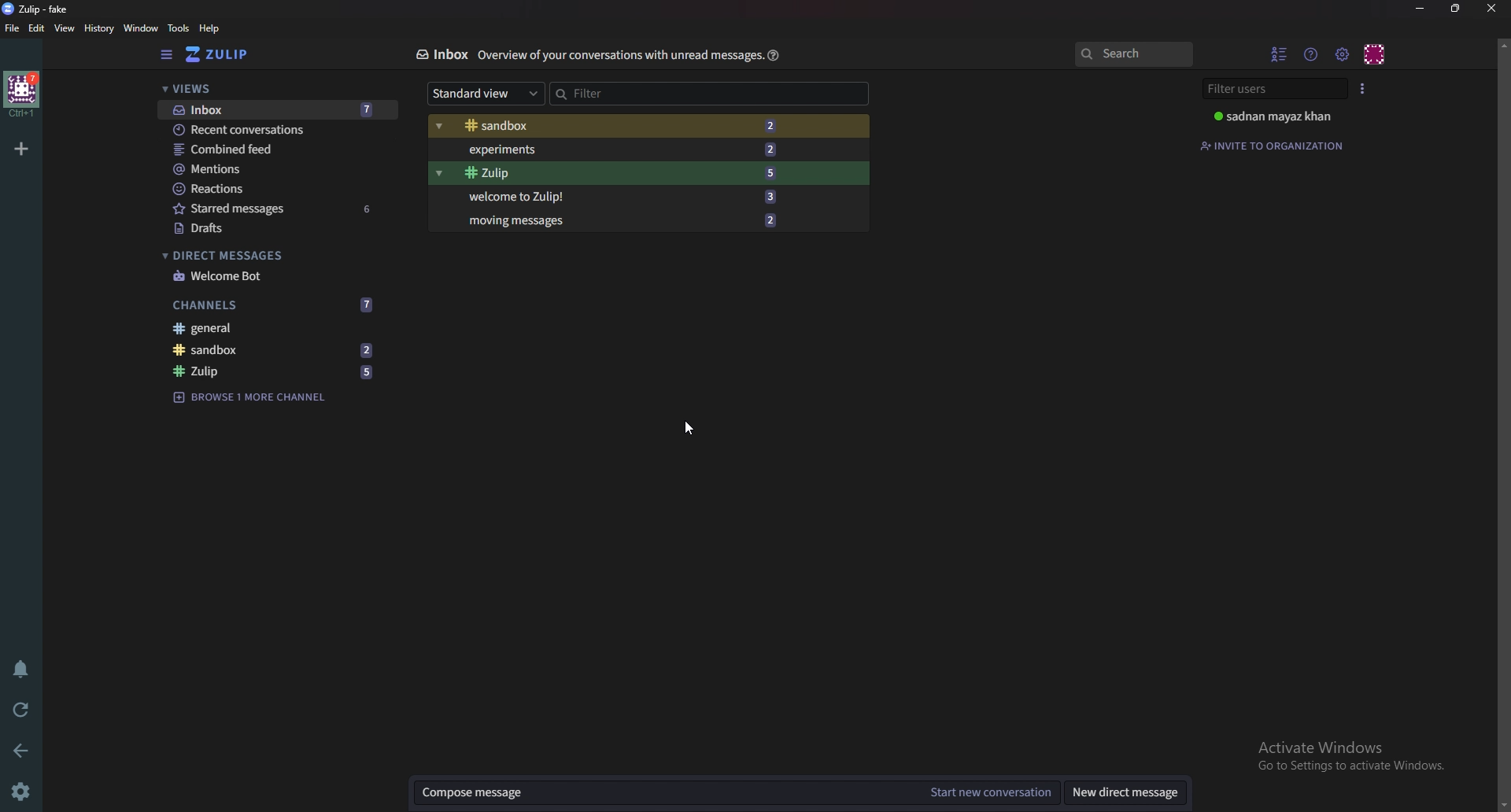 This screenshot has height=812, width=1511. What do you see at coordinates (43, 9) in the screenshot?
I see `title` at bounding box center [43, 9].